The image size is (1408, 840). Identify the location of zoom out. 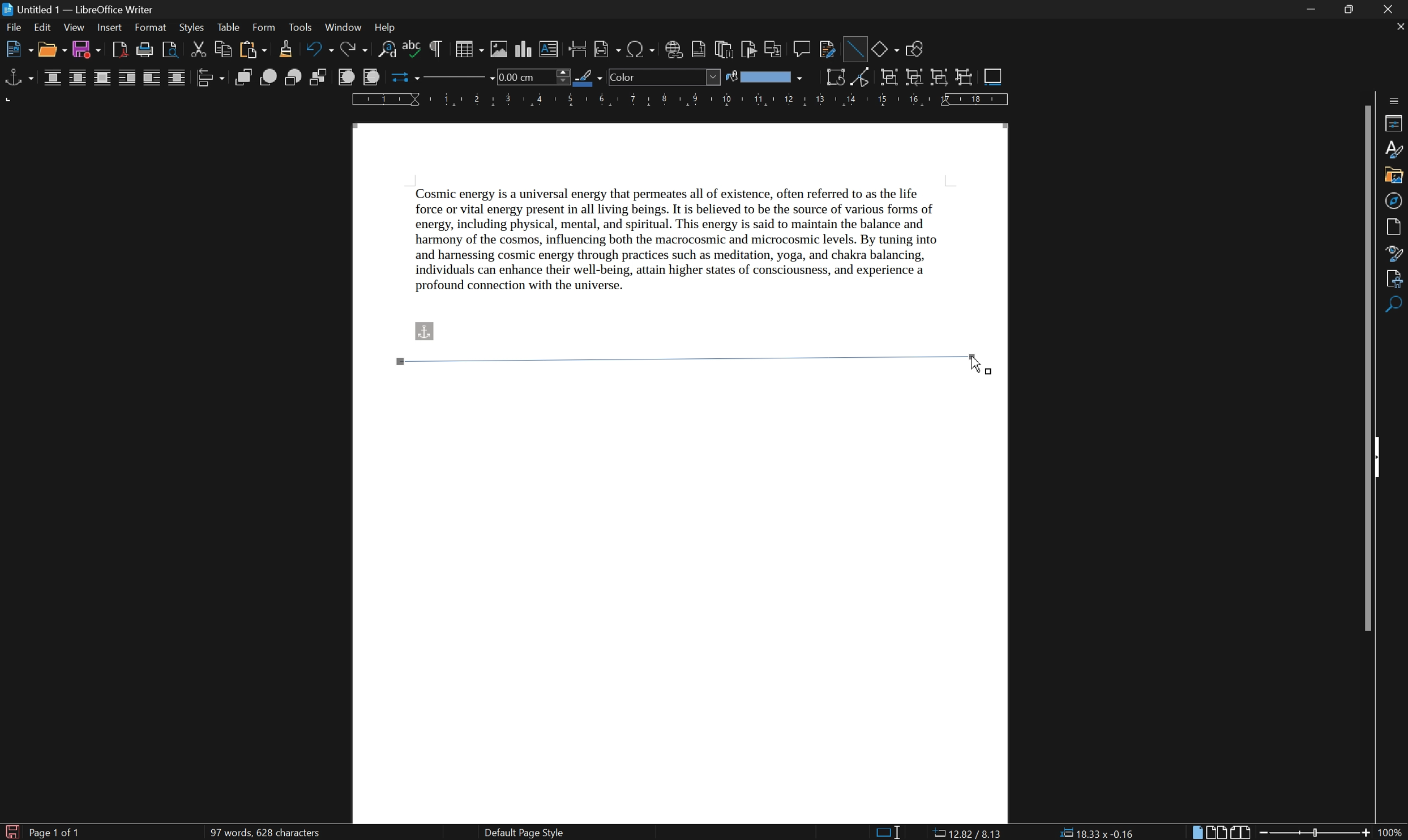
(1265, 833).